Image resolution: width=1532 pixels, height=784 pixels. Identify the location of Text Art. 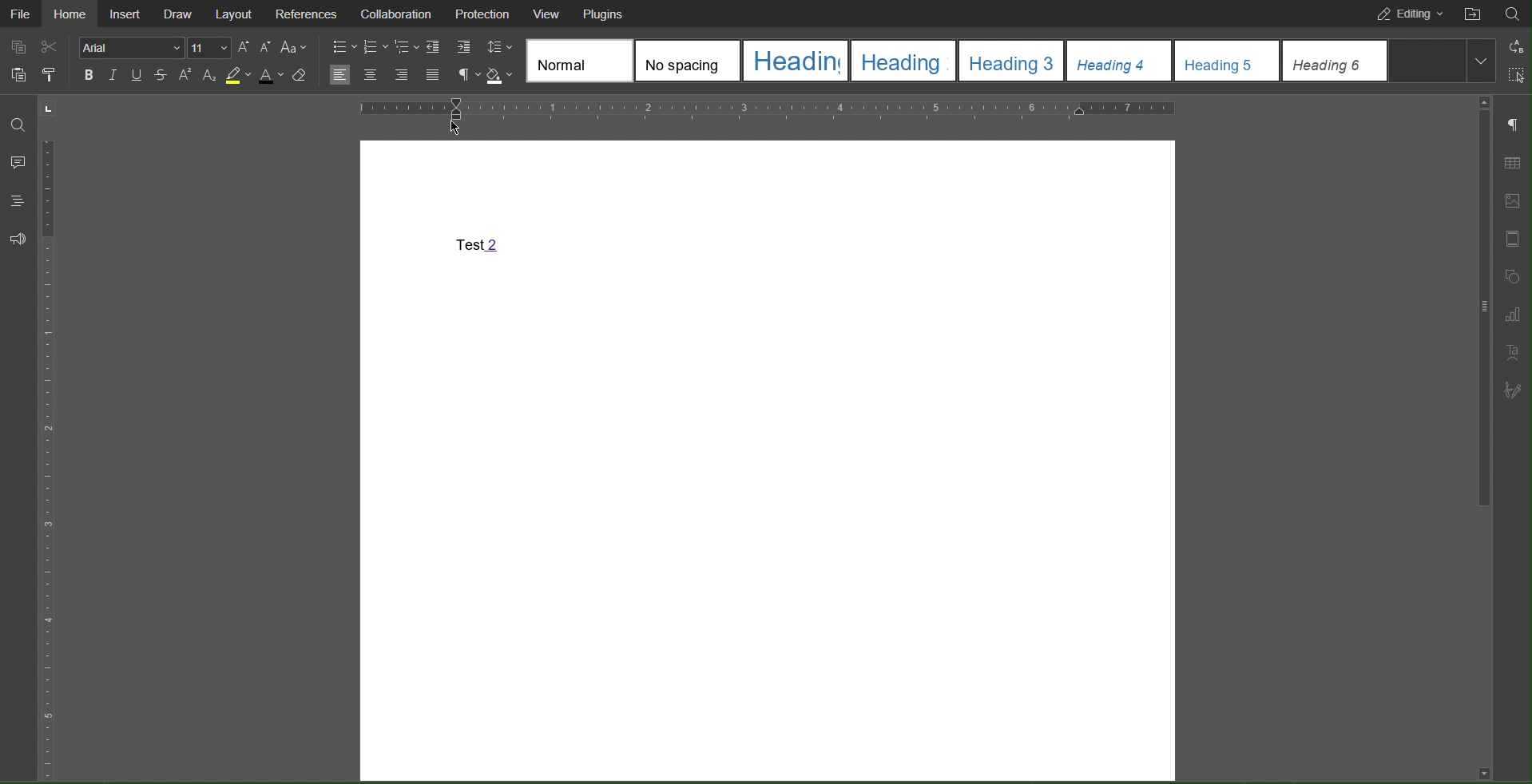
(1518, 351).